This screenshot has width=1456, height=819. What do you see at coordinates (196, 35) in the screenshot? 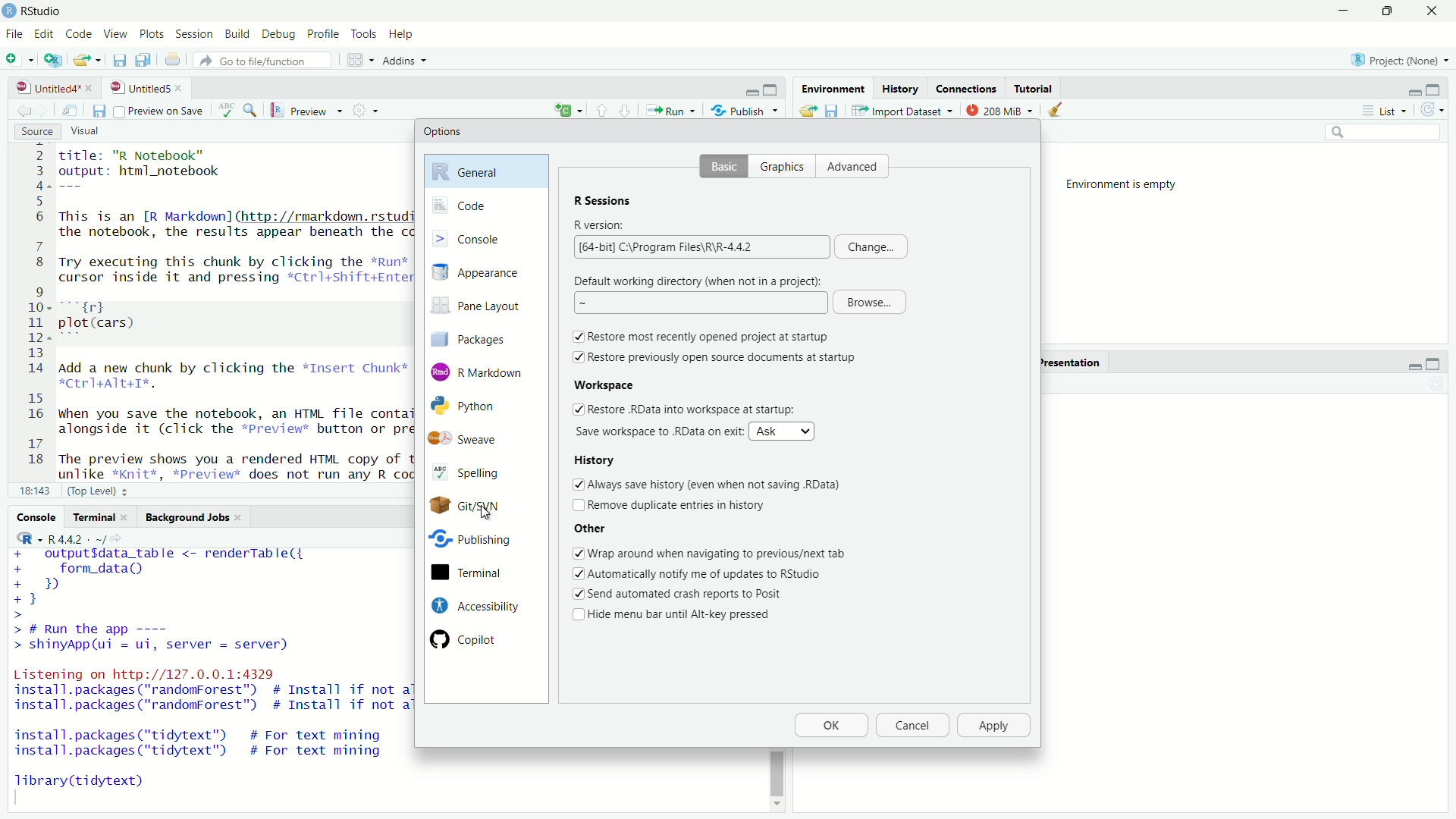
I see `Session` at bounding box center [196, 35].